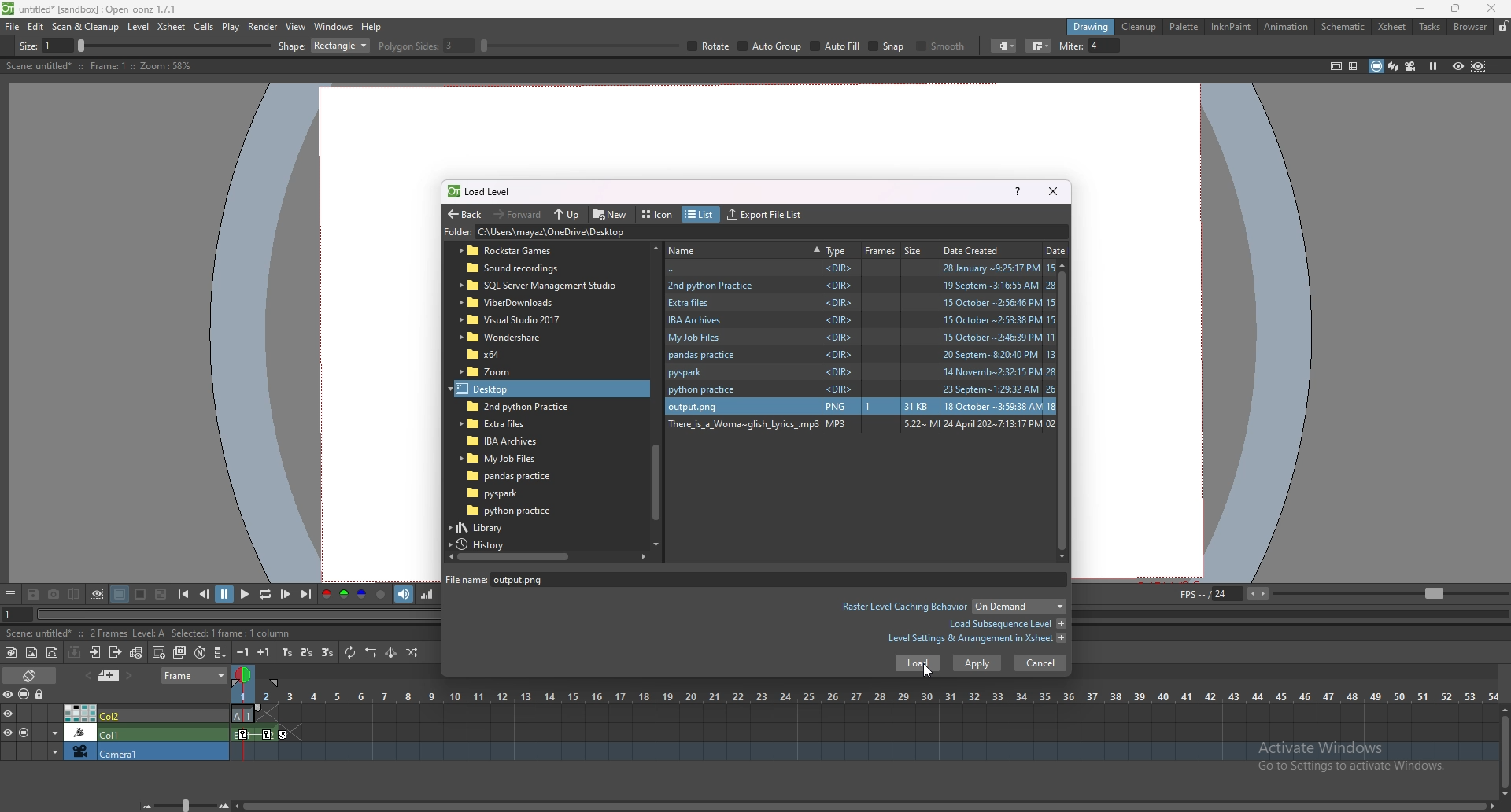 The height and width of the screenshot is (812, 1511). I want to click on first frame, so click(183, 594).